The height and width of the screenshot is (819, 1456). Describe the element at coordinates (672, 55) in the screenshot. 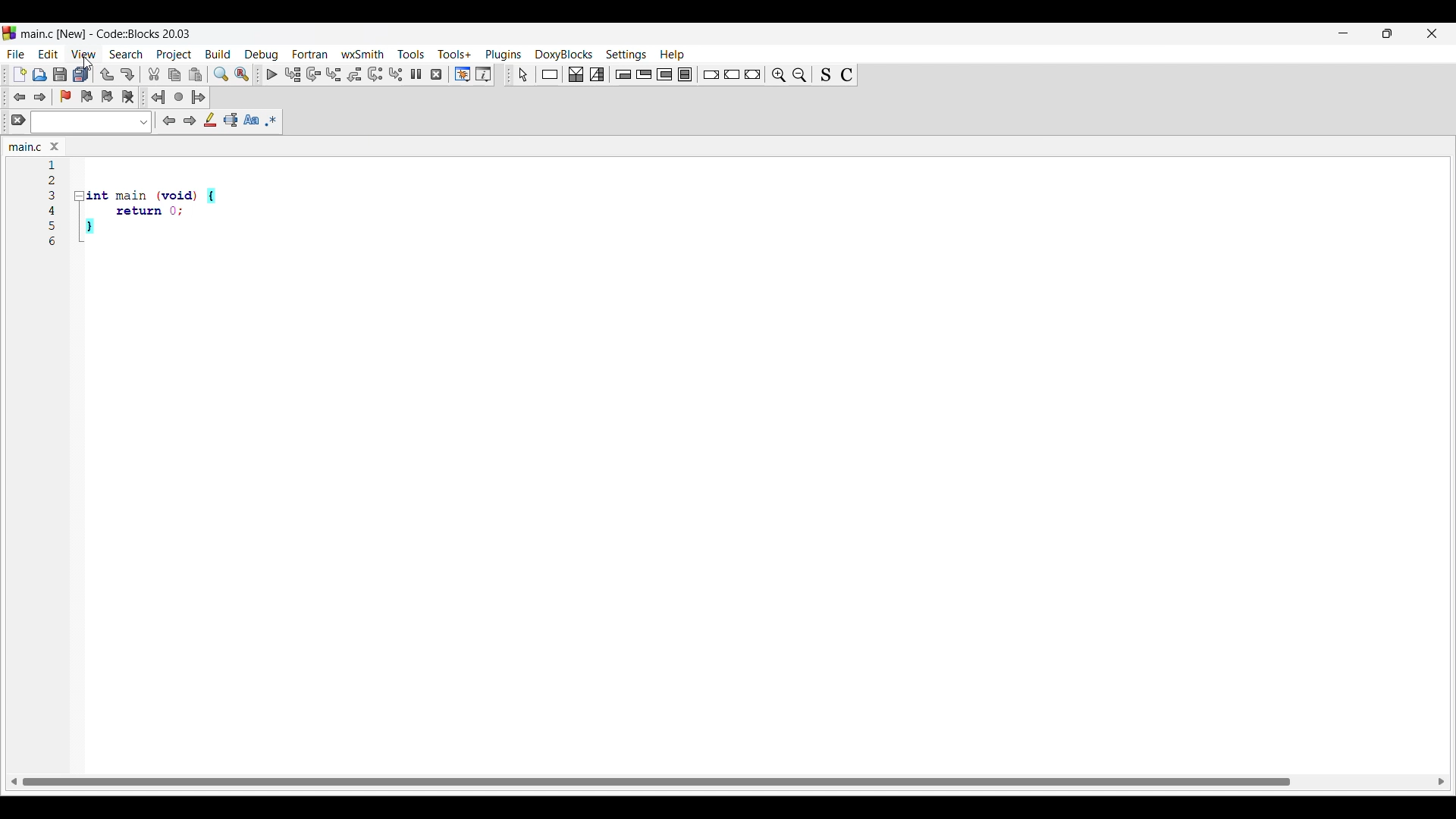

I see `Help menu` at that location.